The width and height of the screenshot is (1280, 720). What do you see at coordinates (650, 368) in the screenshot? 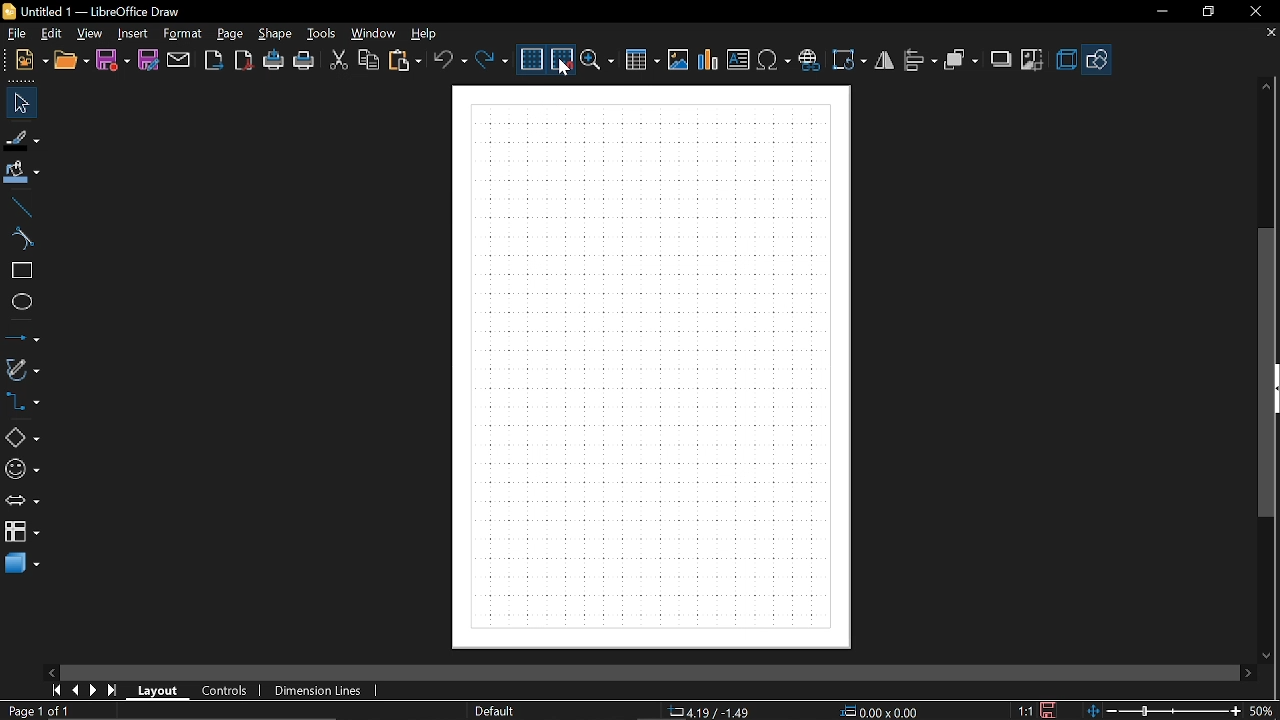
I see `Display` at bounding box center [650, 368].